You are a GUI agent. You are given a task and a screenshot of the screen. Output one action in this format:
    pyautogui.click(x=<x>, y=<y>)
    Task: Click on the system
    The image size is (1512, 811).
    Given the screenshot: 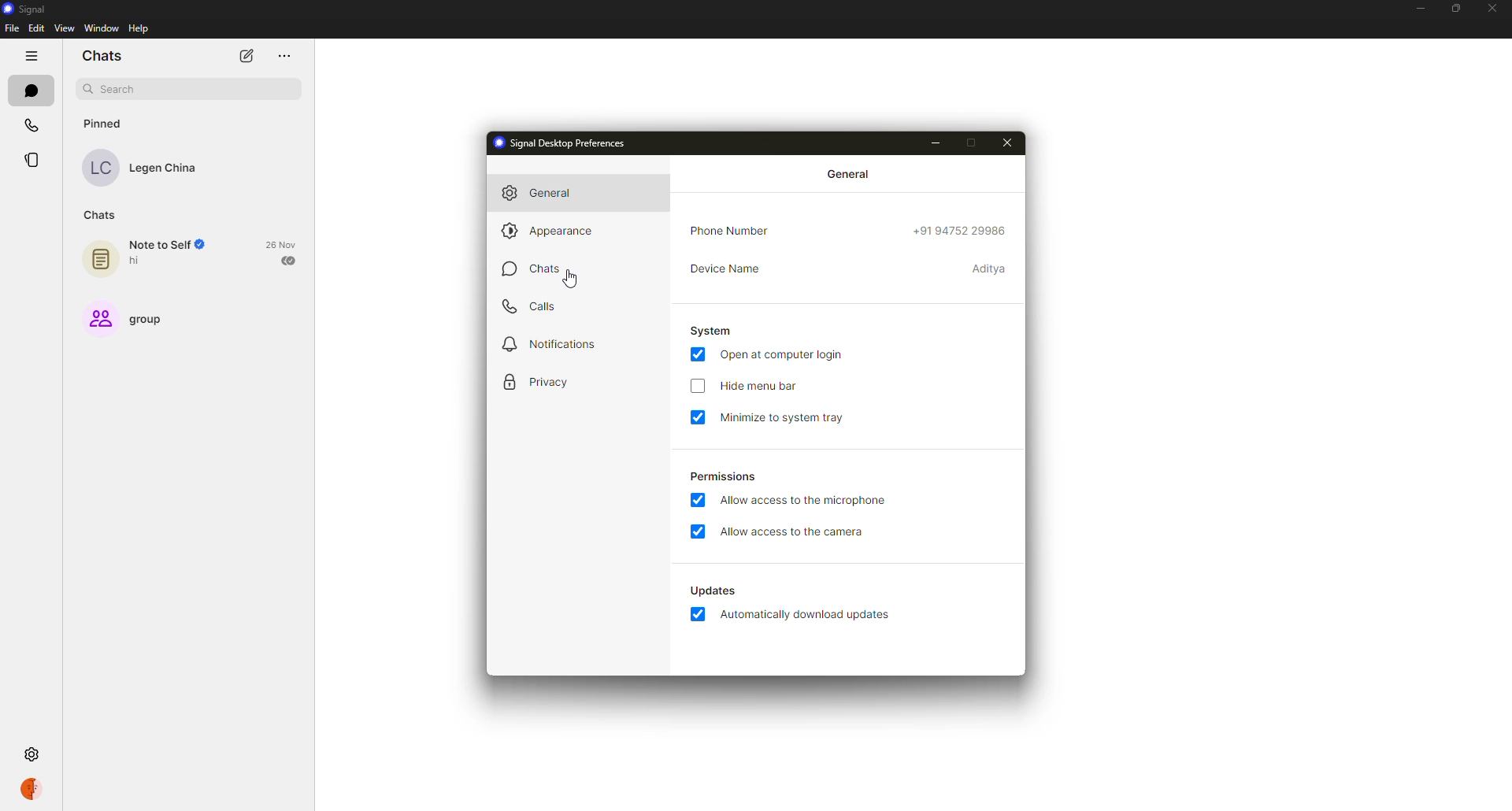 What is the action you would take?
    pyautogui.click(x=712, y=330)
    